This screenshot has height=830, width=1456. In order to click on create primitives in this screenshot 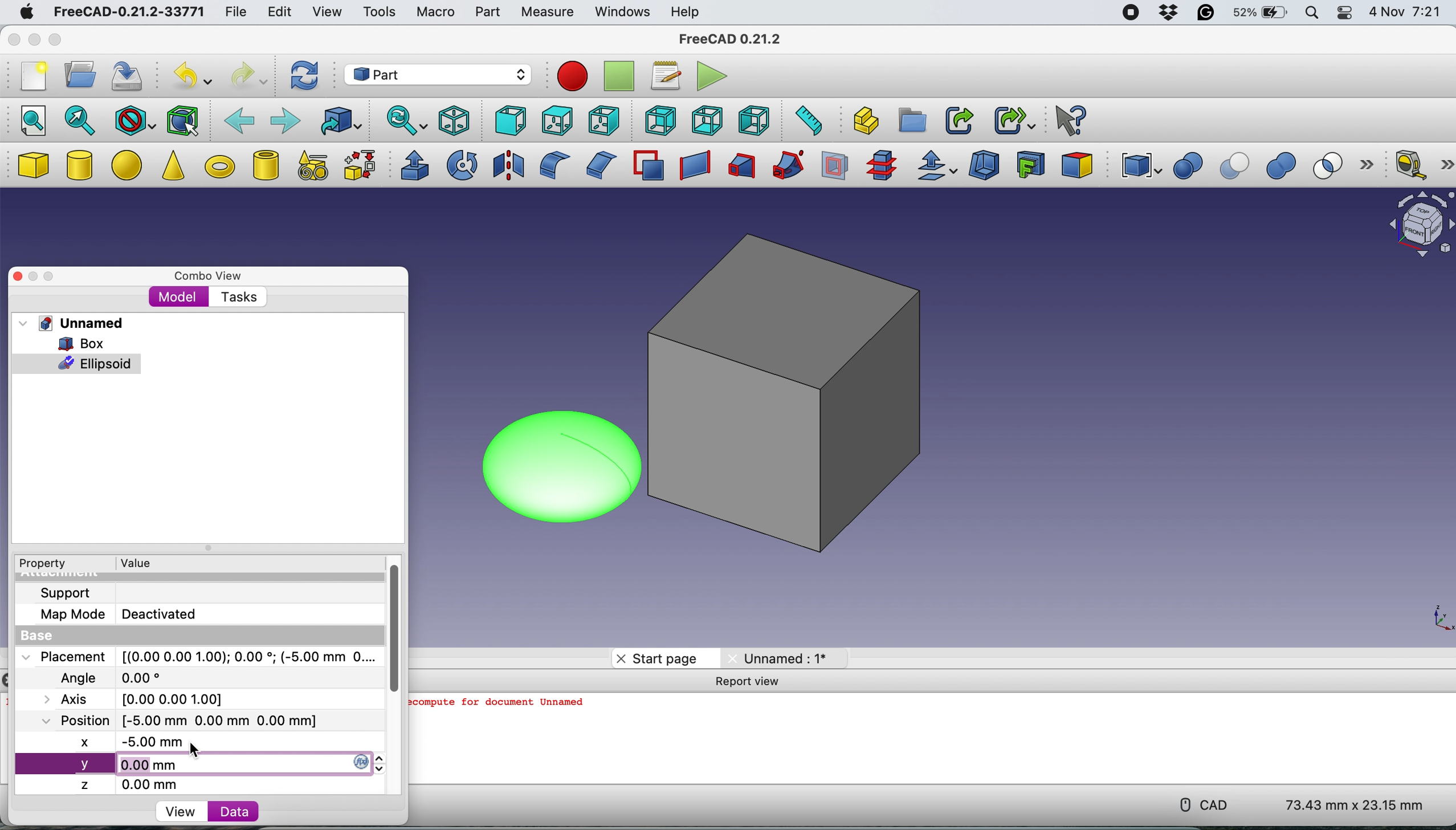, I will do `click(309, 166)`.